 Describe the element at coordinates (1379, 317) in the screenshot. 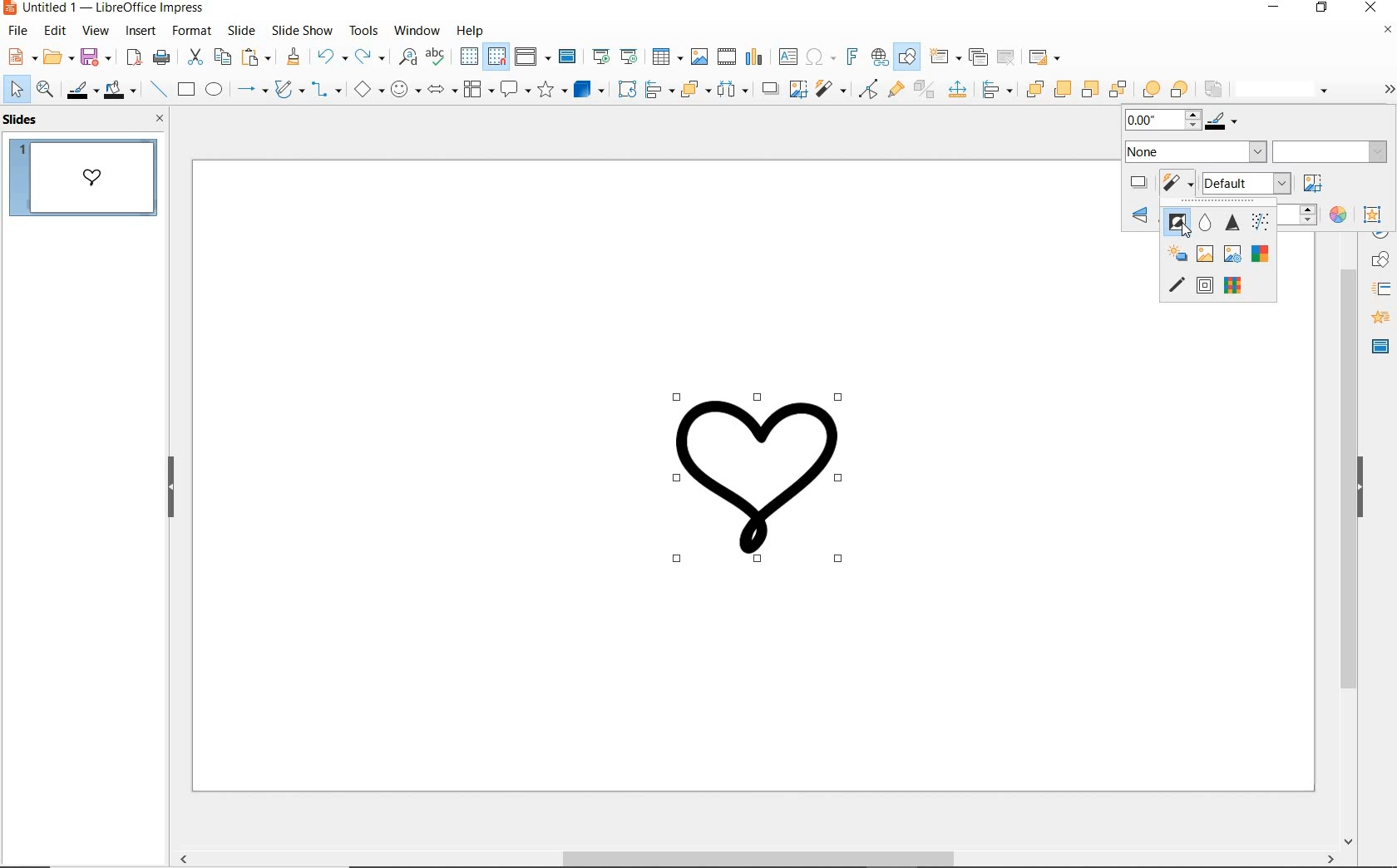

I see `` at that location.